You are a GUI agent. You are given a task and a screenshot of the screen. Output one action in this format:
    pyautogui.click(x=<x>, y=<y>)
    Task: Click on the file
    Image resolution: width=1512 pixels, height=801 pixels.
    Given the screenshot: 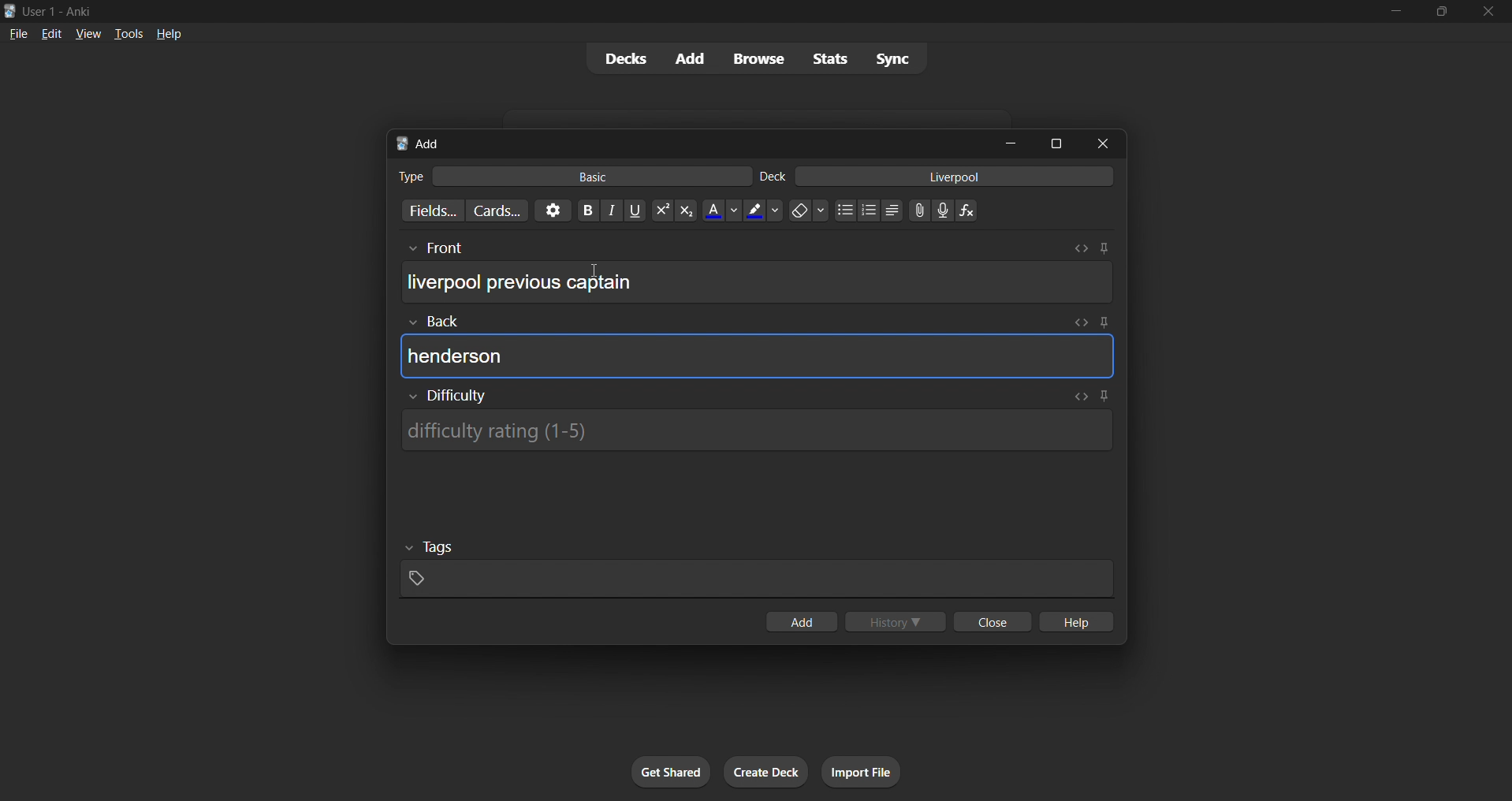 What is the action you would take?
    pyautogui.click(x=15, y=33)
    